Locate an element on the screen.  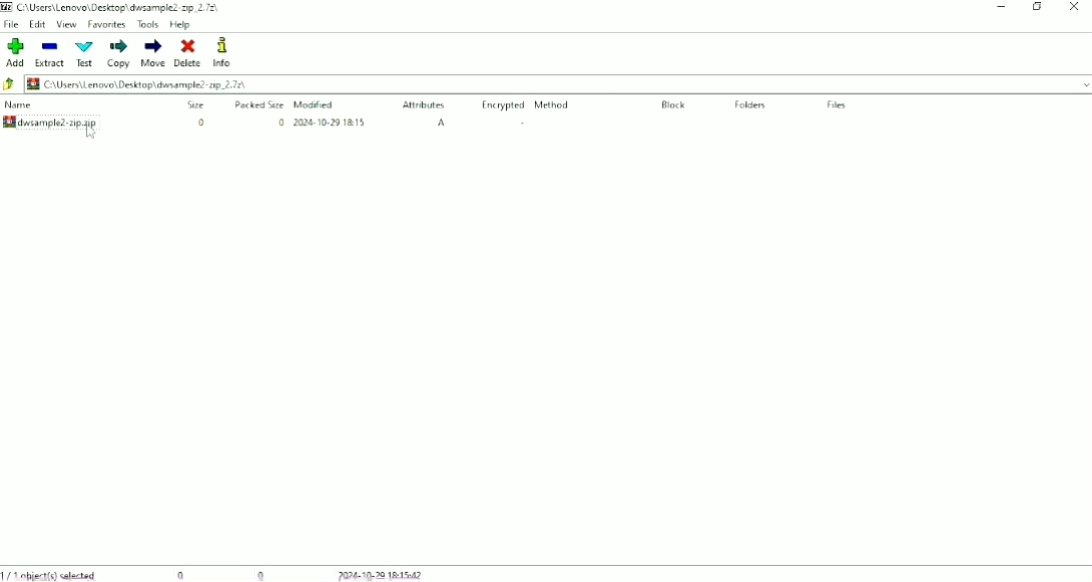
View is located at coordinates (66, 24).